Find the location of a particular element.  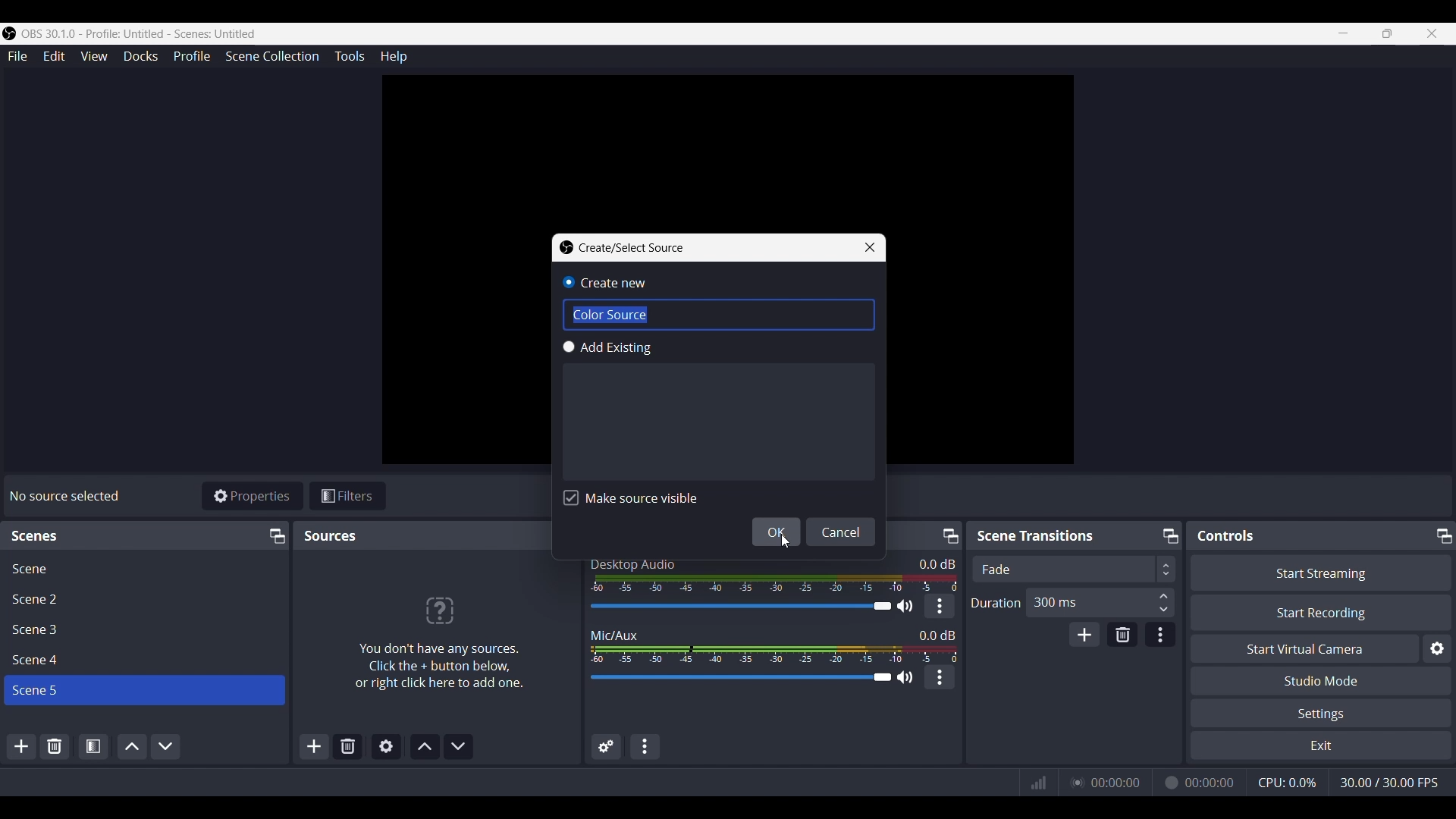

Properties is located at coordinates (253, 495).